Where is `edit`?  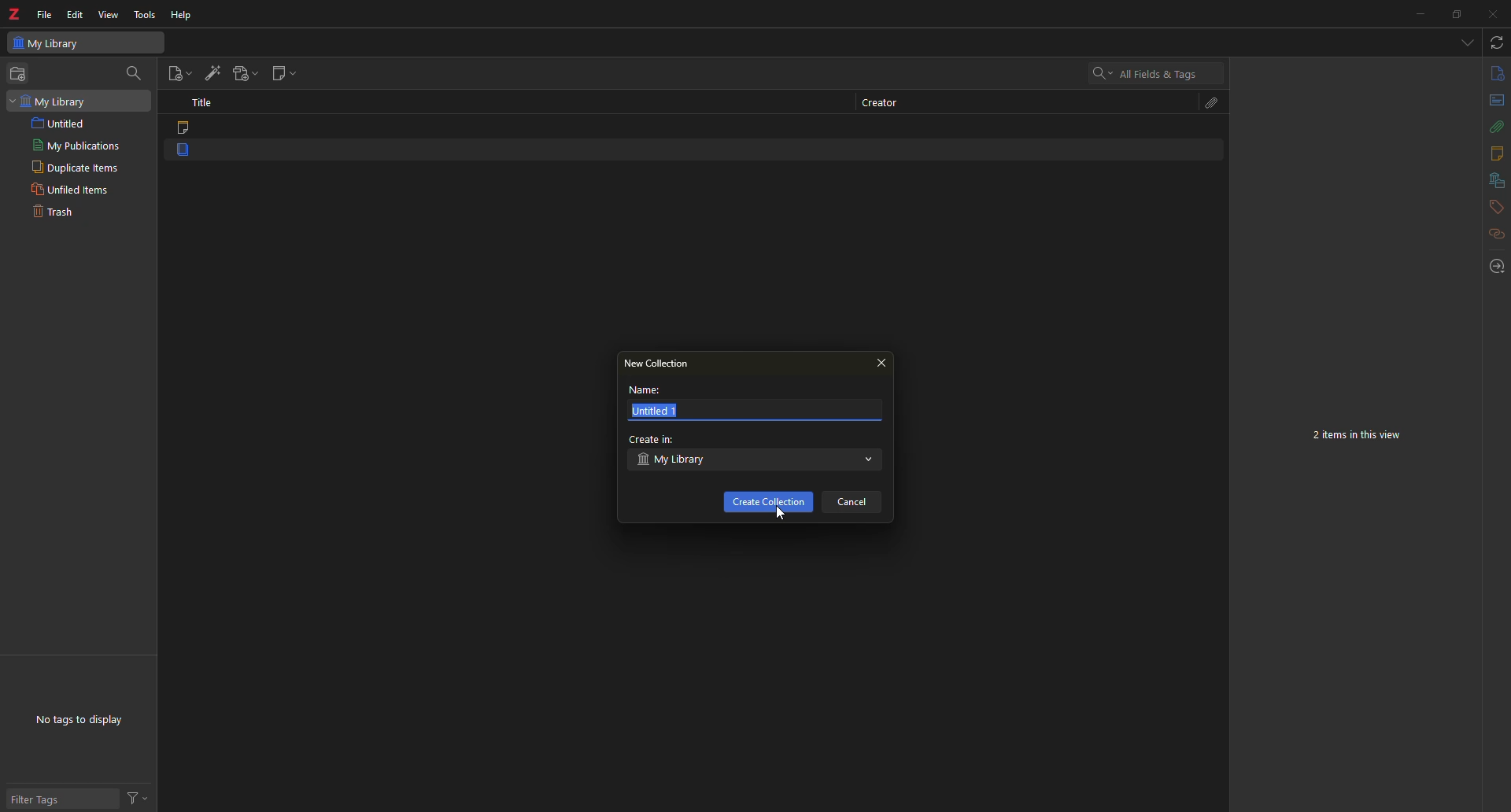
edit is located at coordinates (74, 14).